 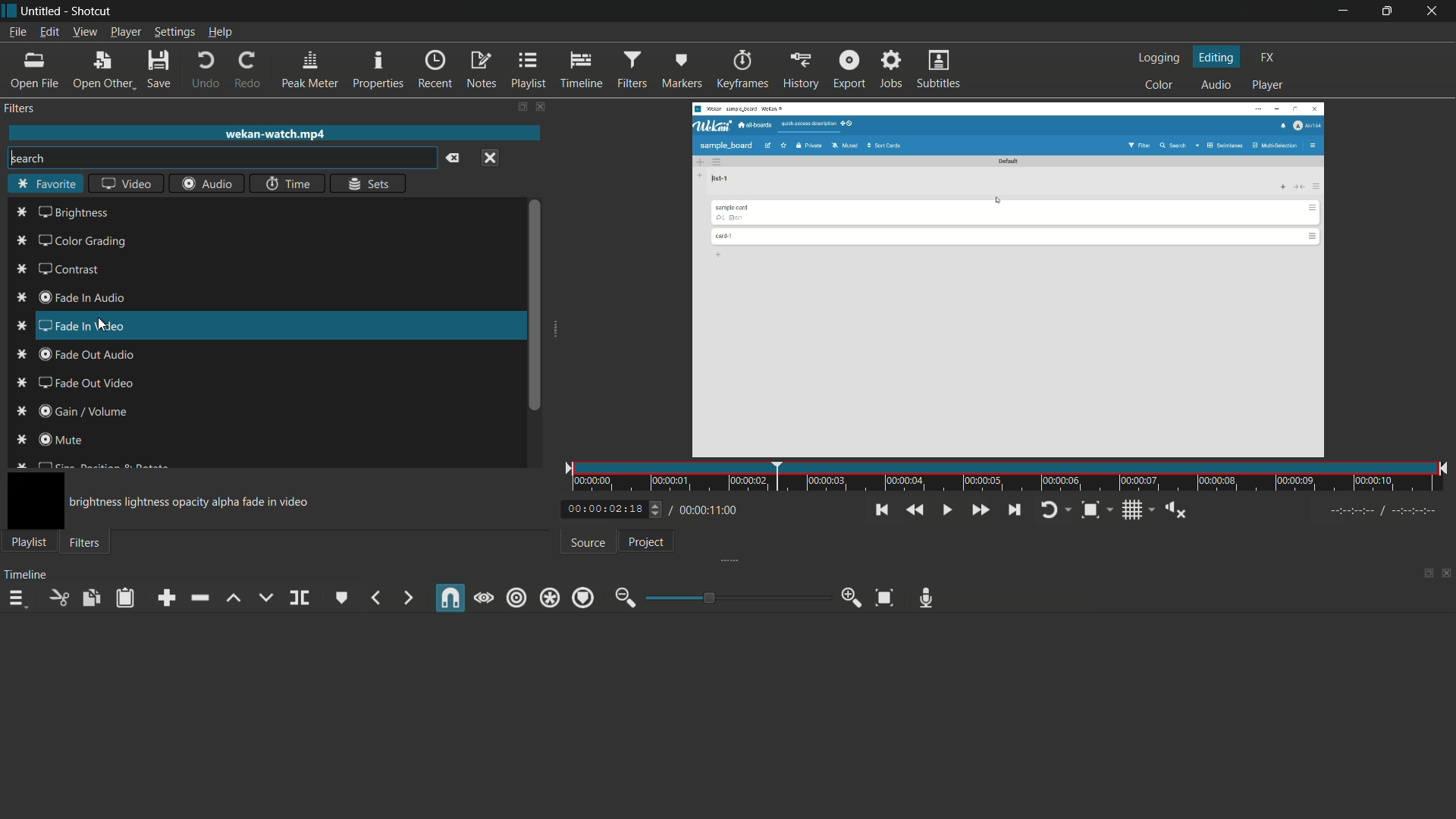 What do you see at coordinates (435, 71) in the screenshot?
I see `recent` at bounding box center [435, 71].